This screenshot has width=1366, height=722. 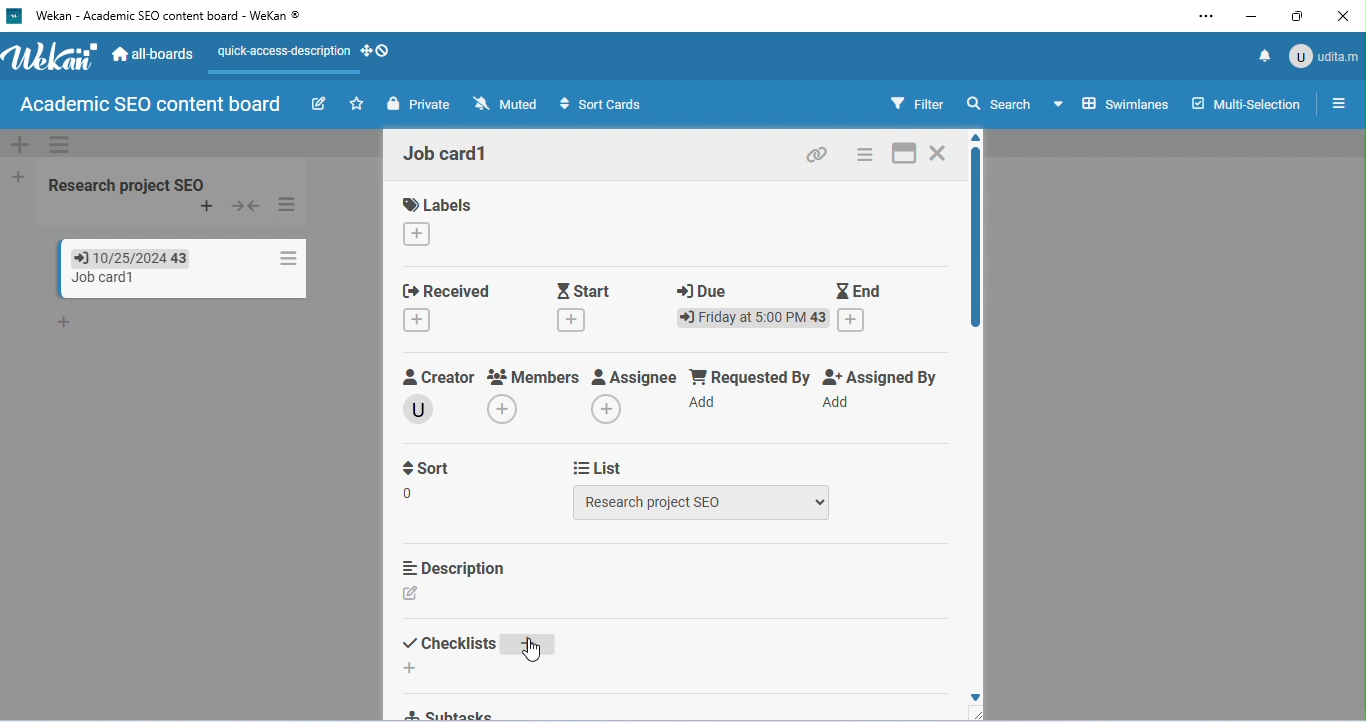 What do you see at coordinates (120, 257) in the screenshot?
I see `due date of card` at bounding box center [120, 257].